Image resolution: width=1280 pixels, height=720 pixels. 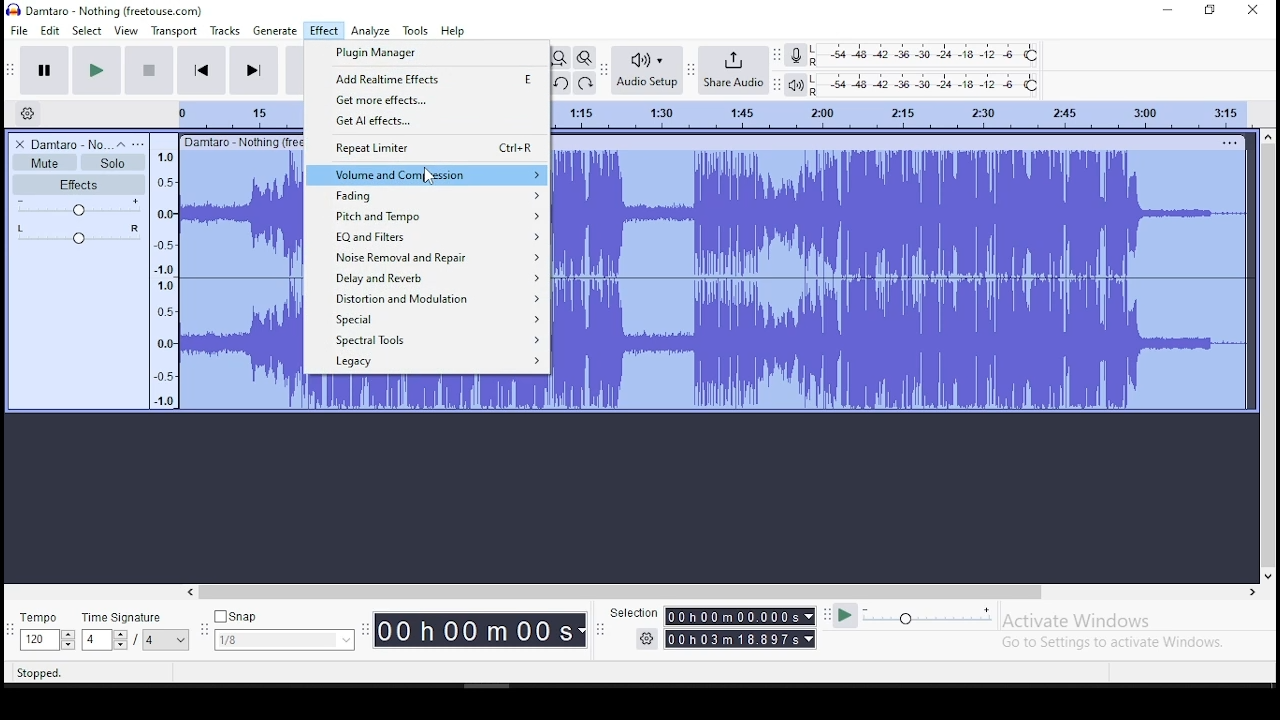 What do you see at coordinates (240, 281) in the screenshot?
I see `audio clip` at bounding box center [240, 281].